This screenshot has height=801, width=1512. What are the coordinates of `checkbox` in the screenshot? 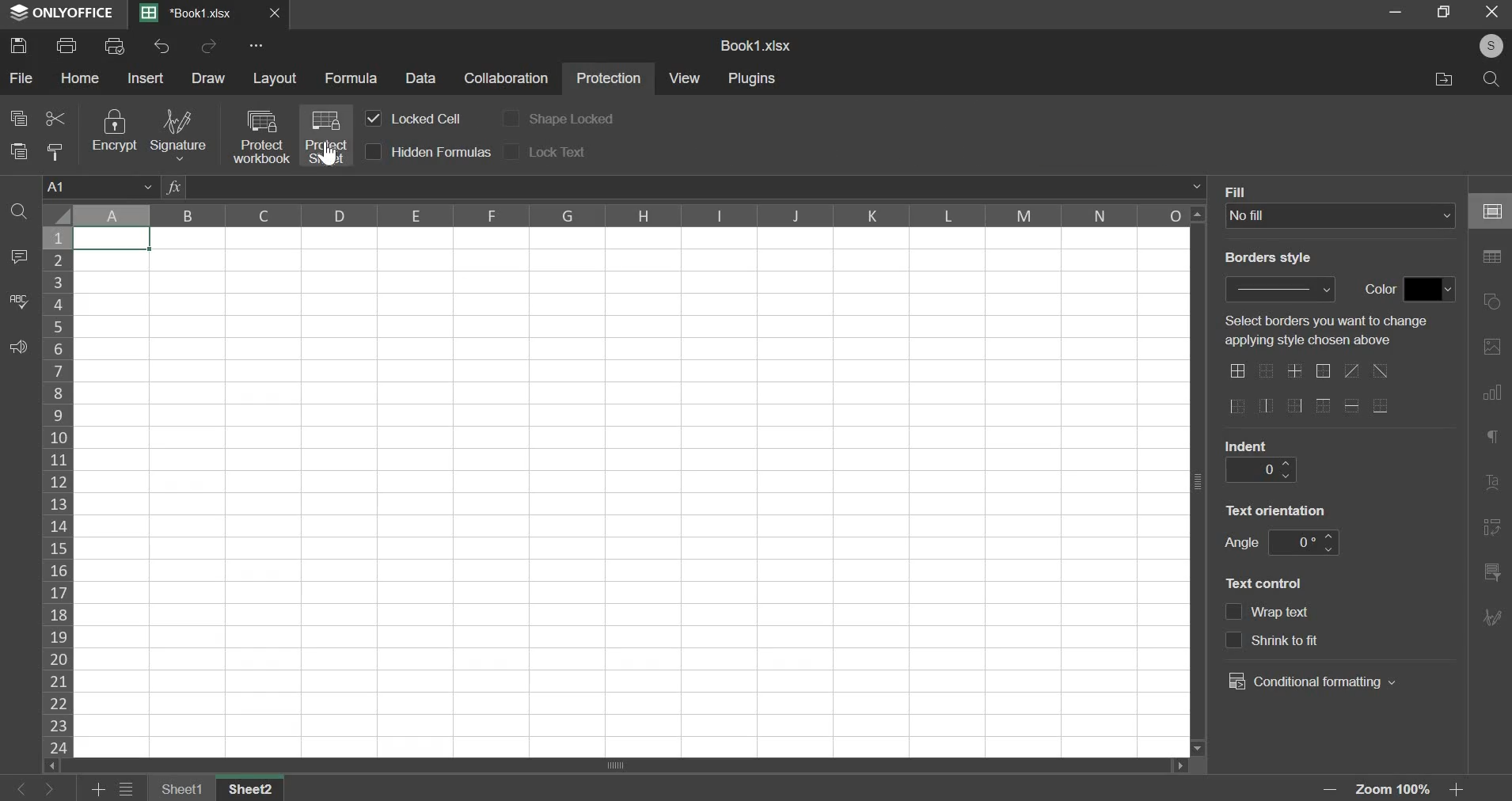 It's located at (1233, 640).